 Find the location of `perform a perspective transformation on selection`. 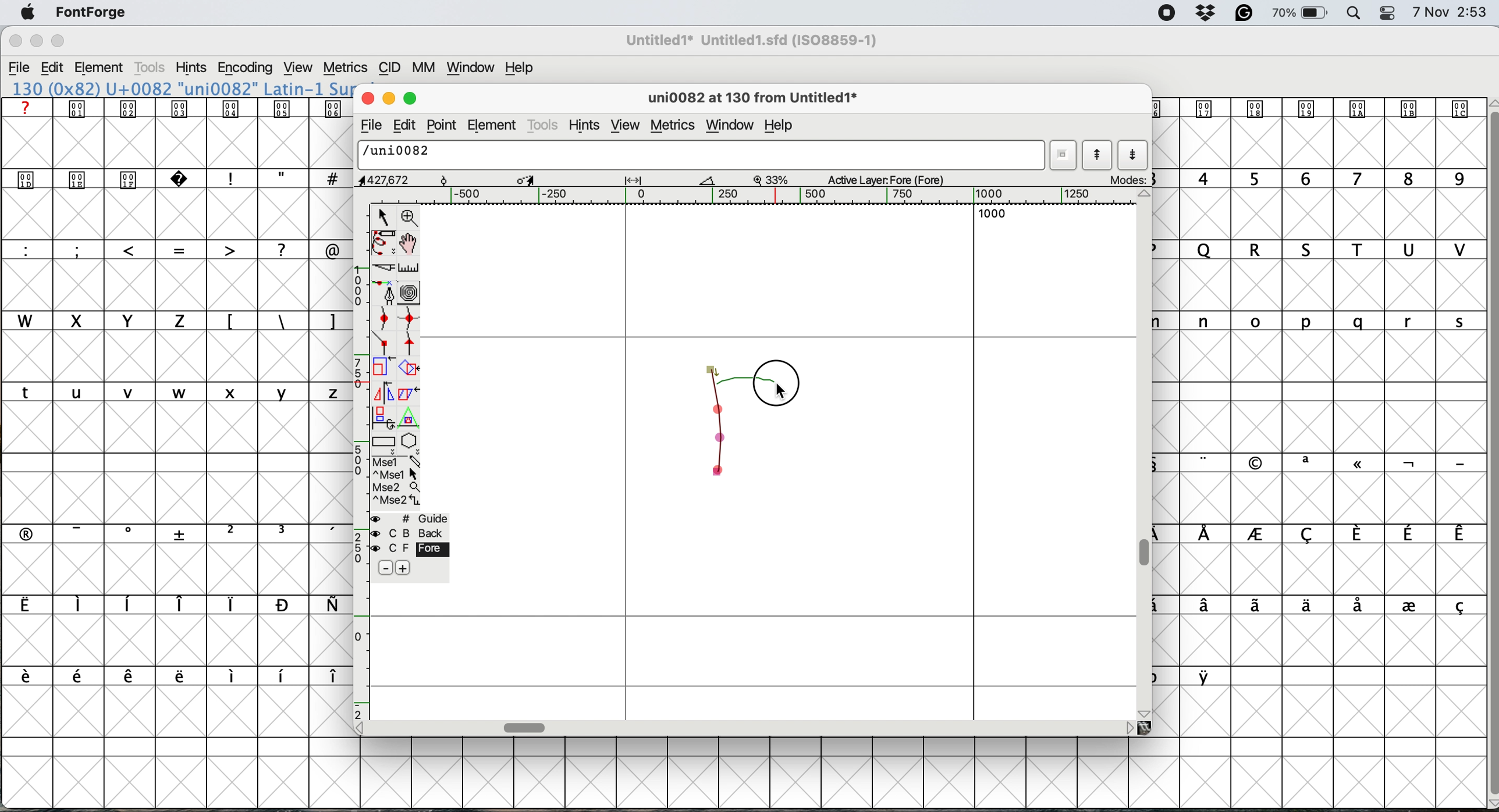

perform a perspective transformation on selection is located at coordinates (411, 421).